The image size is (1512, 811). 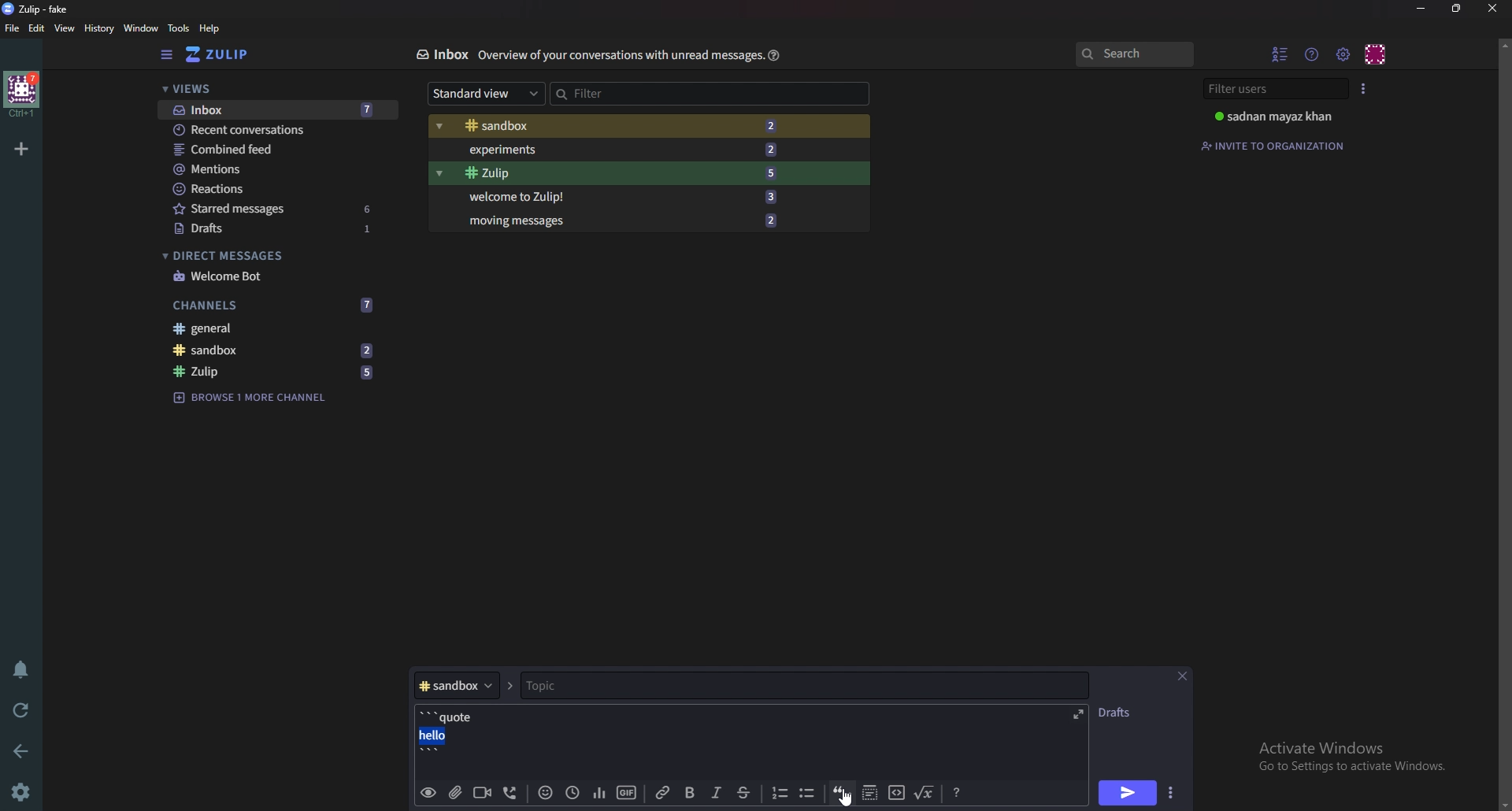 What do you see at coordinates (243, 209) in the screenshot?
I see `starred messages` at bounding box center [243, 209].